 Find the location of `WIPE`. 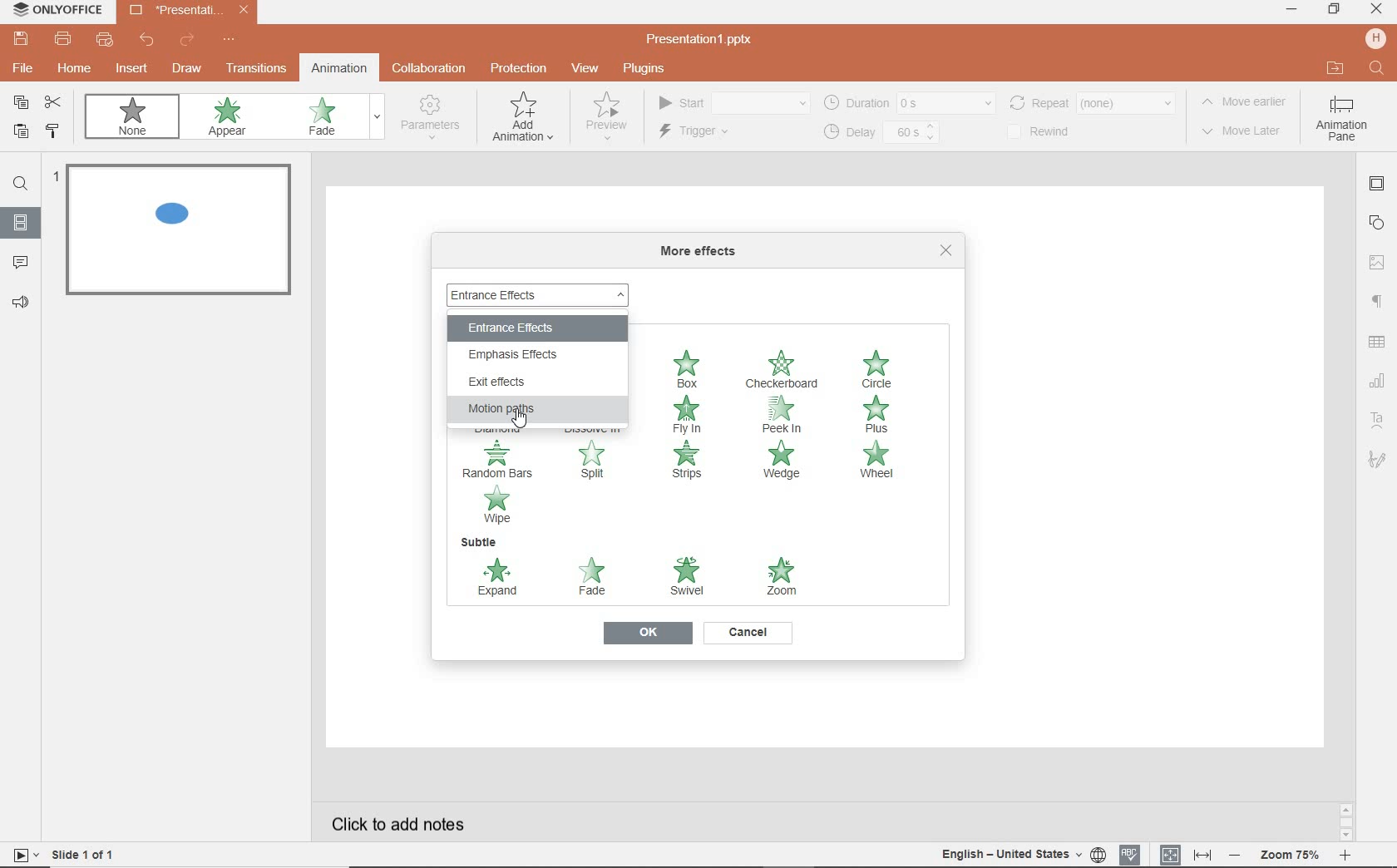

WIPE is located at coordinates (498, 506).